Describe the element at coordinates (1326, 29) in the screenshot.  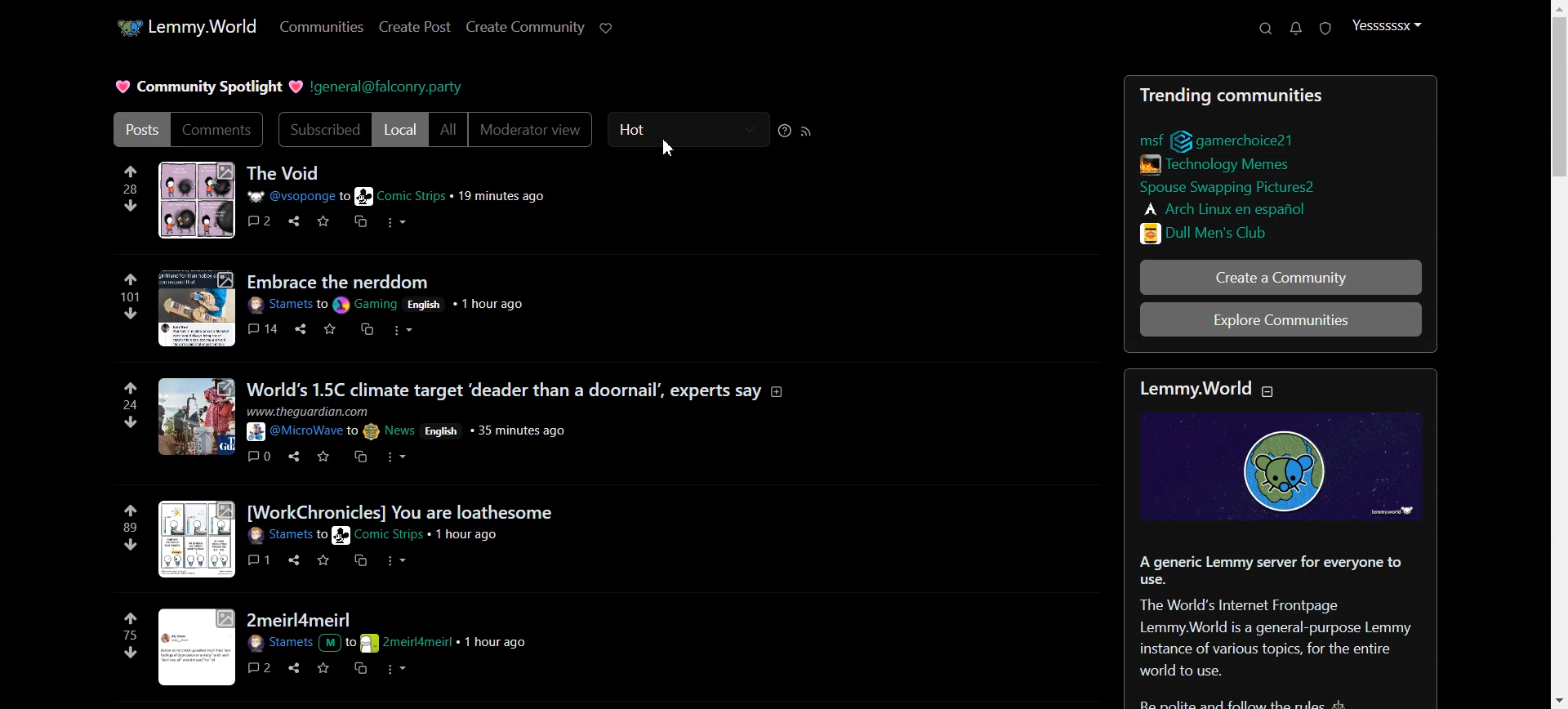
I see `Unread Report` at that location.